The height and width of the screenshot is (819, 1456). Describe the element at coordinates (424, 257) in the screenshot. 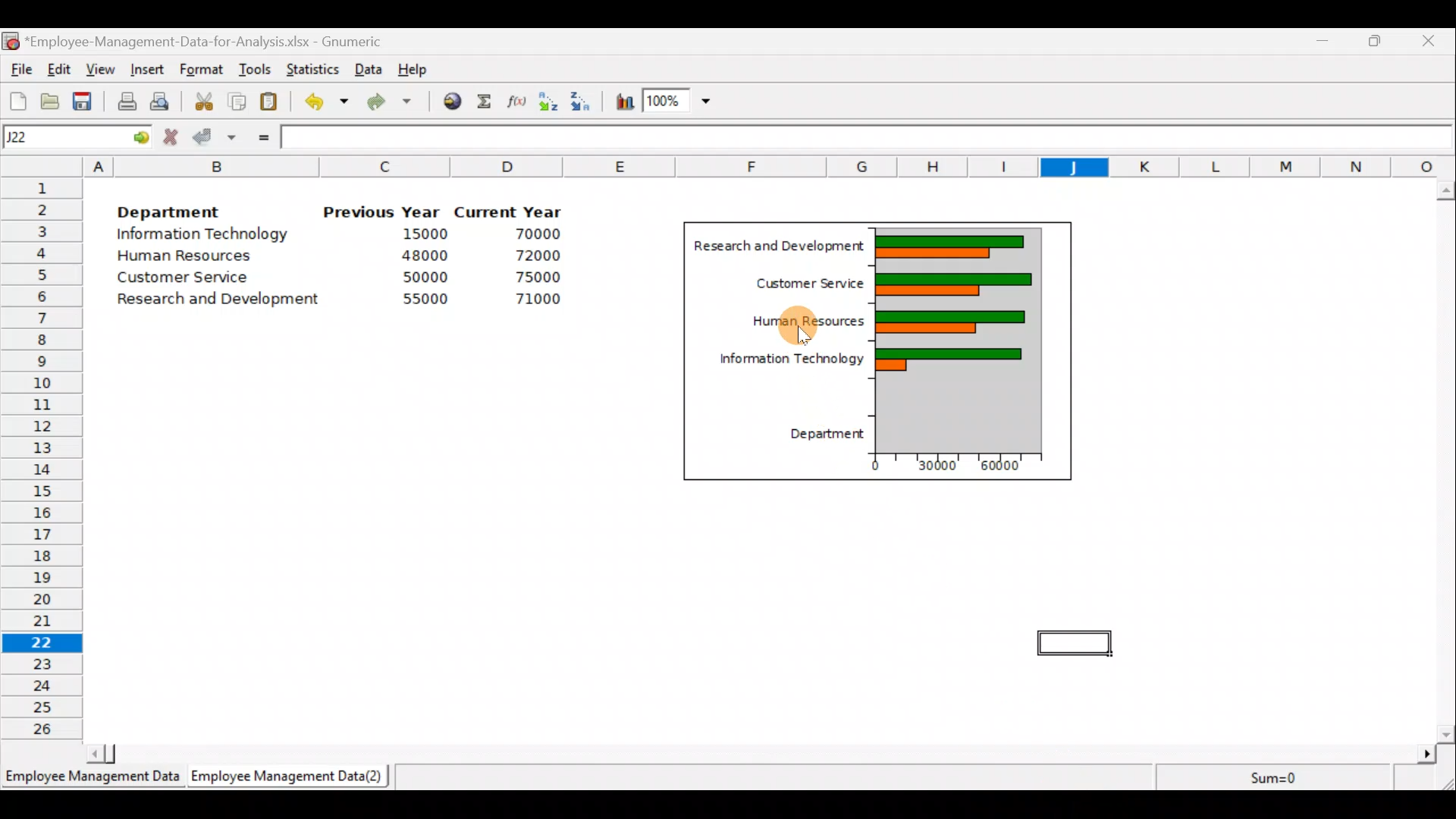

I see `48000` at that location.